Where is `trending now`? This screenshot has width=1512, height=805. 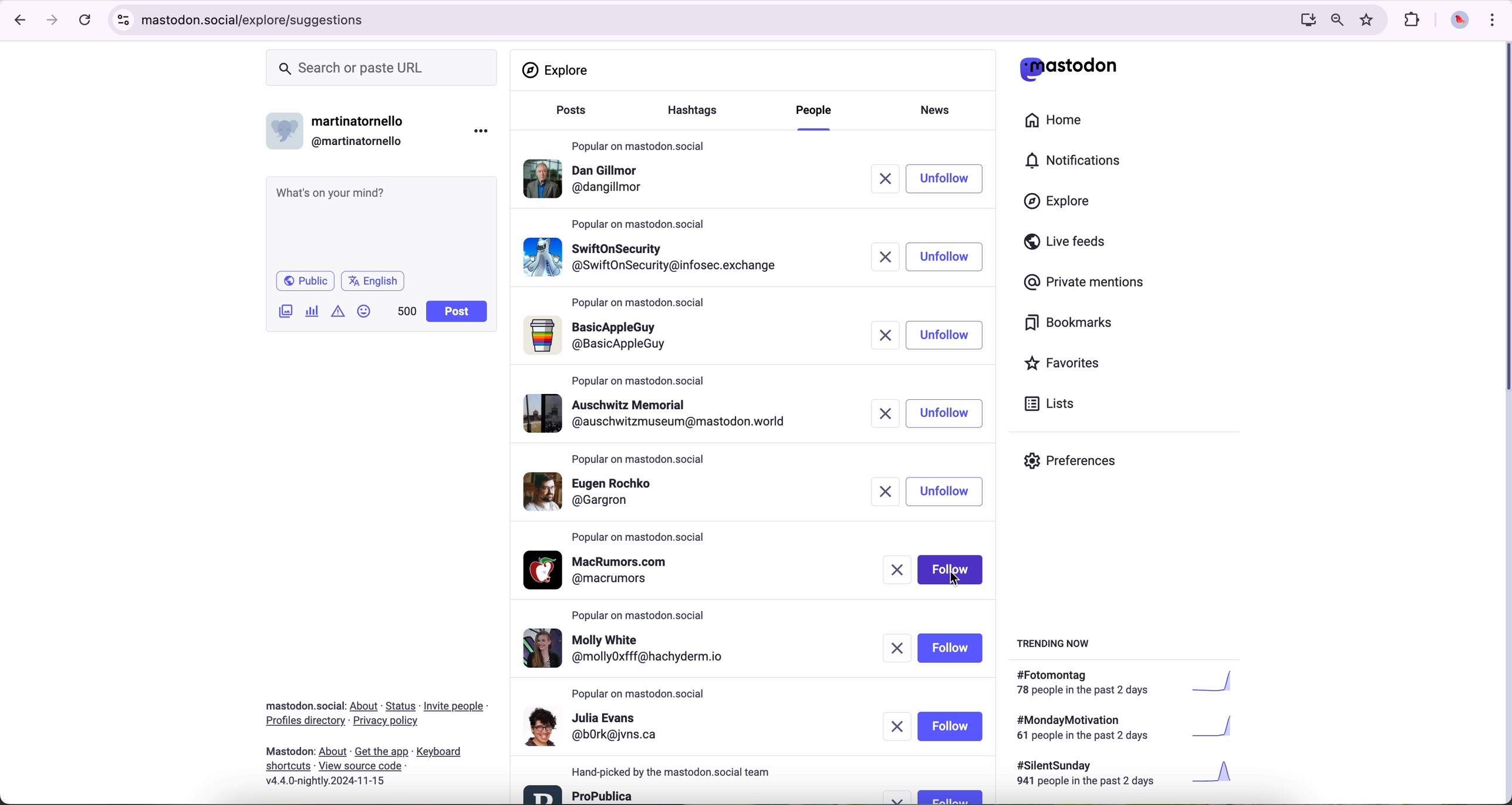
trending now is located at coordinates (1055, 642).